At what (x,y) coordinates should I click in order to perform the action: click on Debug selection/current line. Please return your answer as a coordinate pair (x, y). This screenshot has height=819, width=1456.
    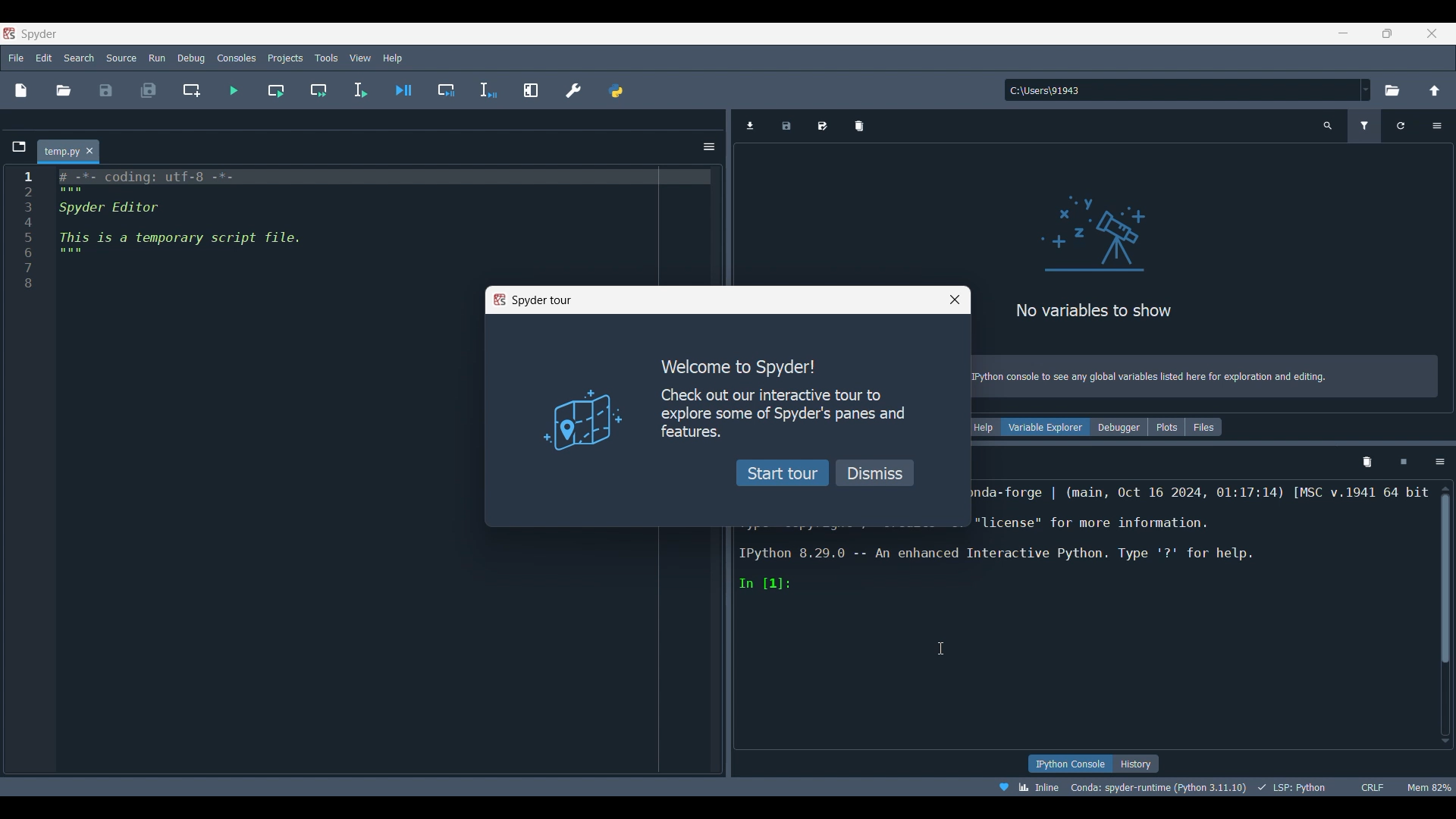
    Looking at the image, I should click on (488, 90).